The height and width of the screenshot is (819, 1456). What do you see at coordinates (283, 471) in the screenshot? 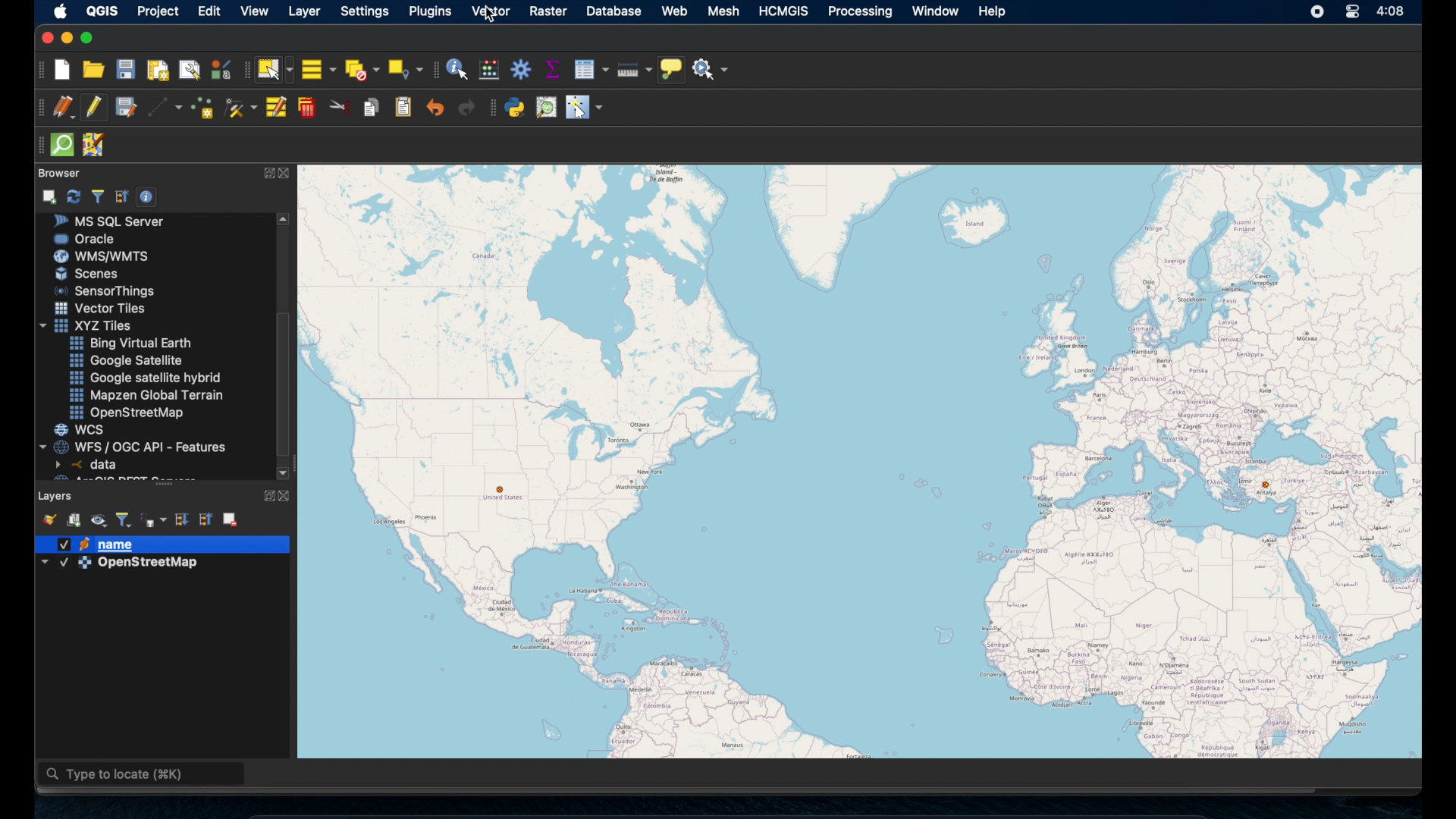
I see `scroll down arrow` at bounding box center [283, 471].